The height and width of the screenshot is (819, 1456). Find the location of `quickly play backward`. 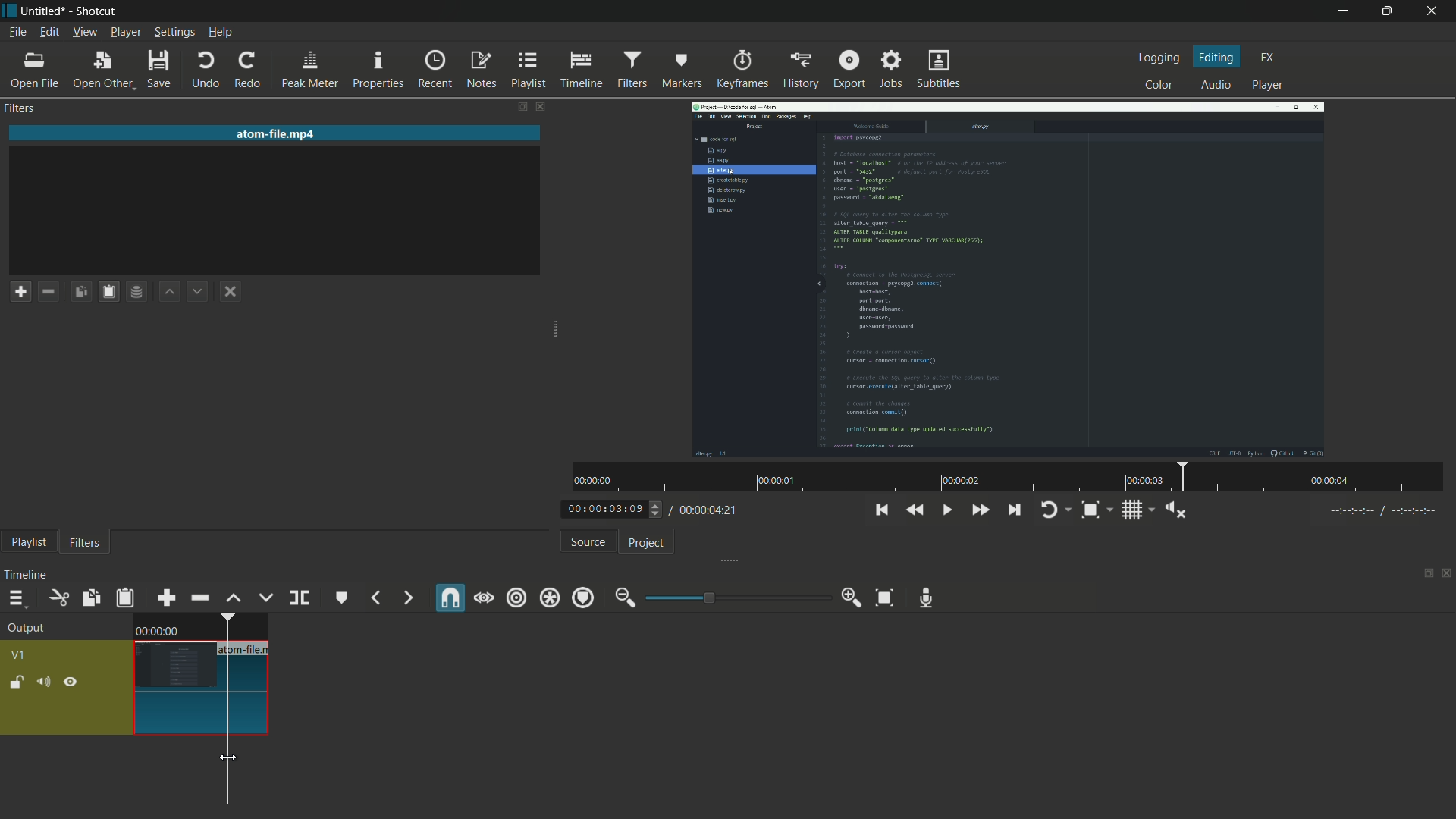

quickly play backward is located at coordinates (916, 511).